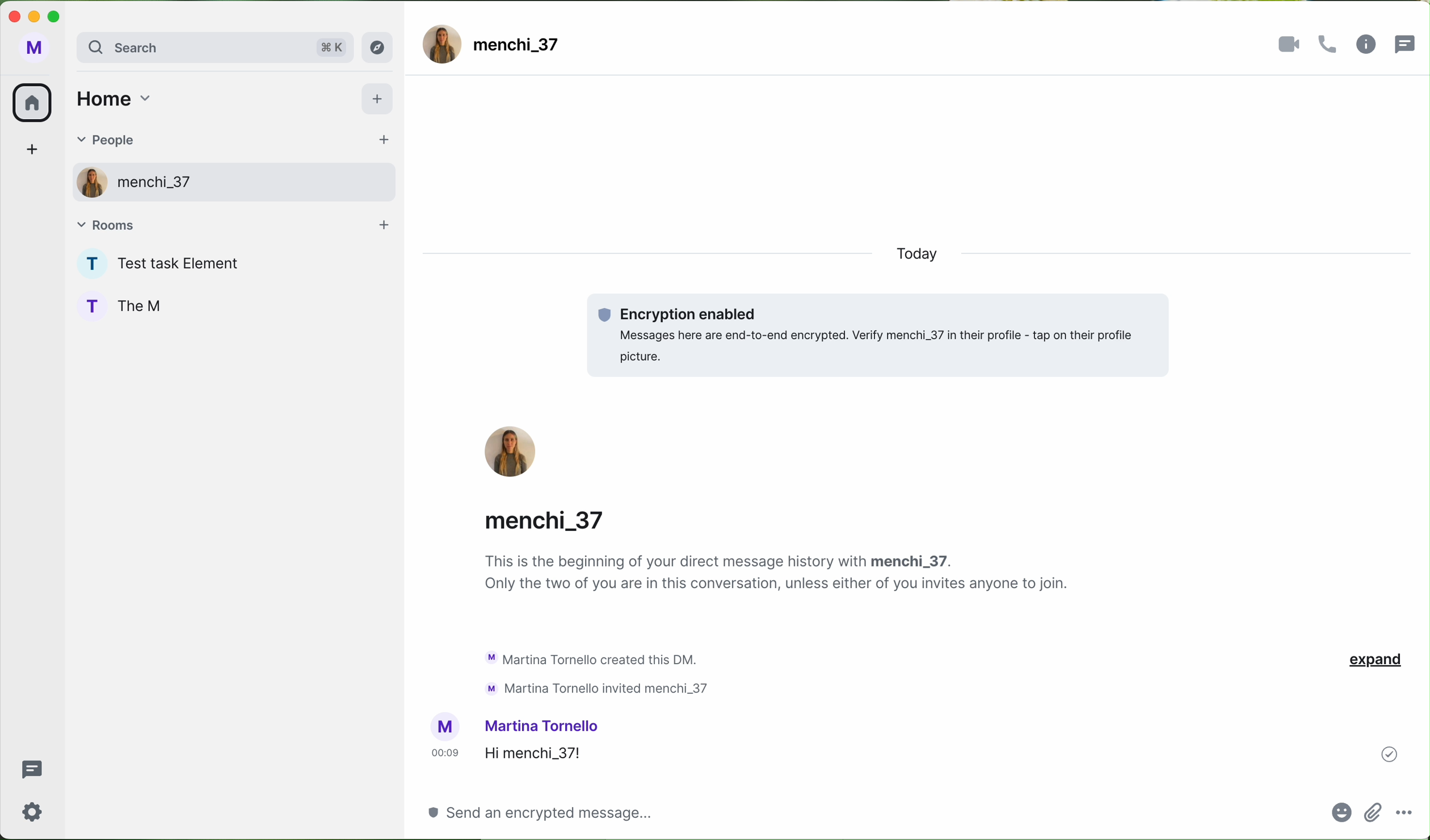  Describe the element at coordinates (36, 18) in the screenshot. I see `minimize` at that location.